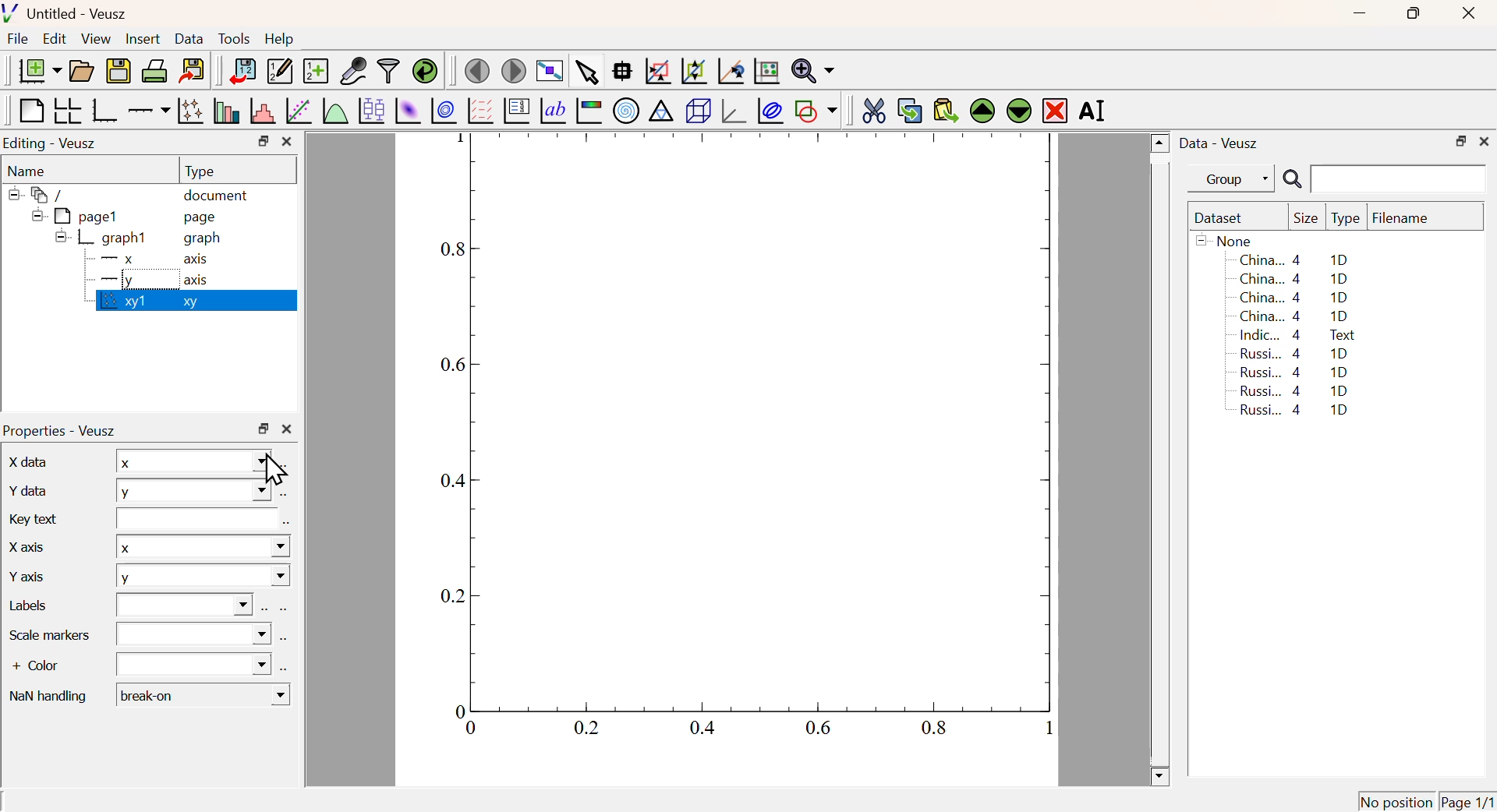 The height and width of the screenshot is (812, 1497). Describe the element at coordinates (515, 110) in the screenshot. I see `Plot Key` at that location.